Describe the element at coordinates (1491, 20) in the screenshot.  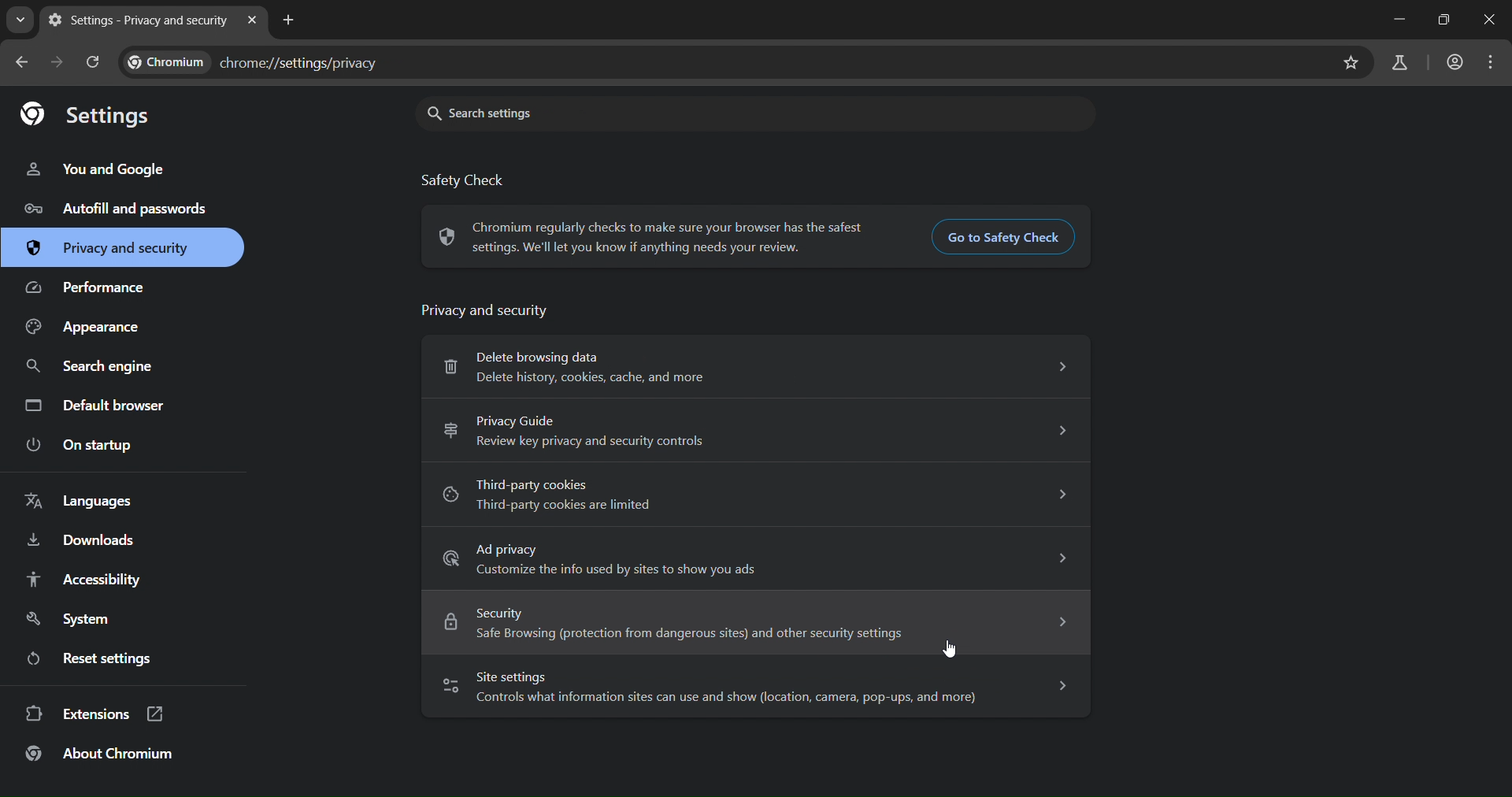
I see `close` at that location.